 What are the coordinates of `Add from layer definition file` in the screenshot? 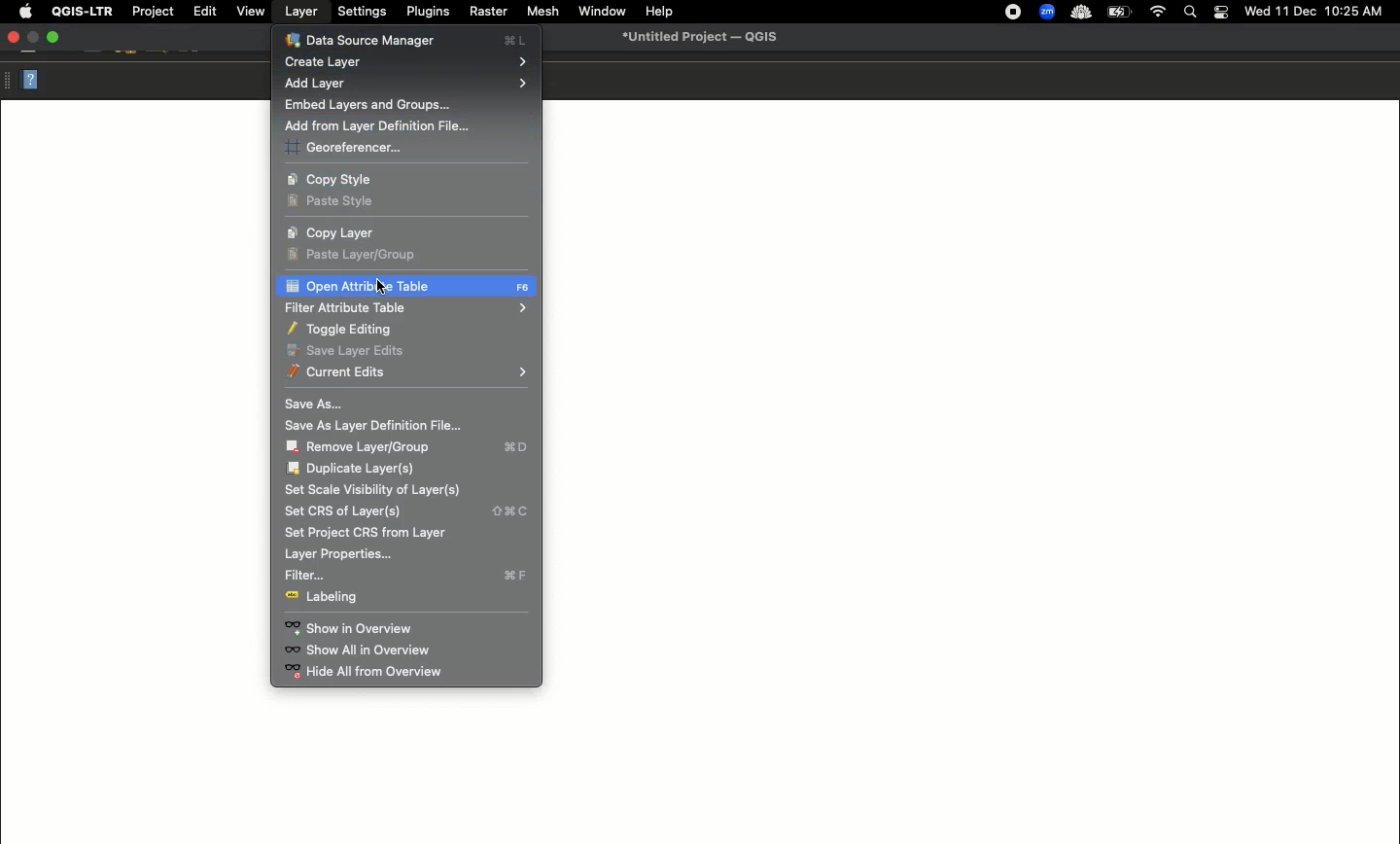 It's located at (384, 127).